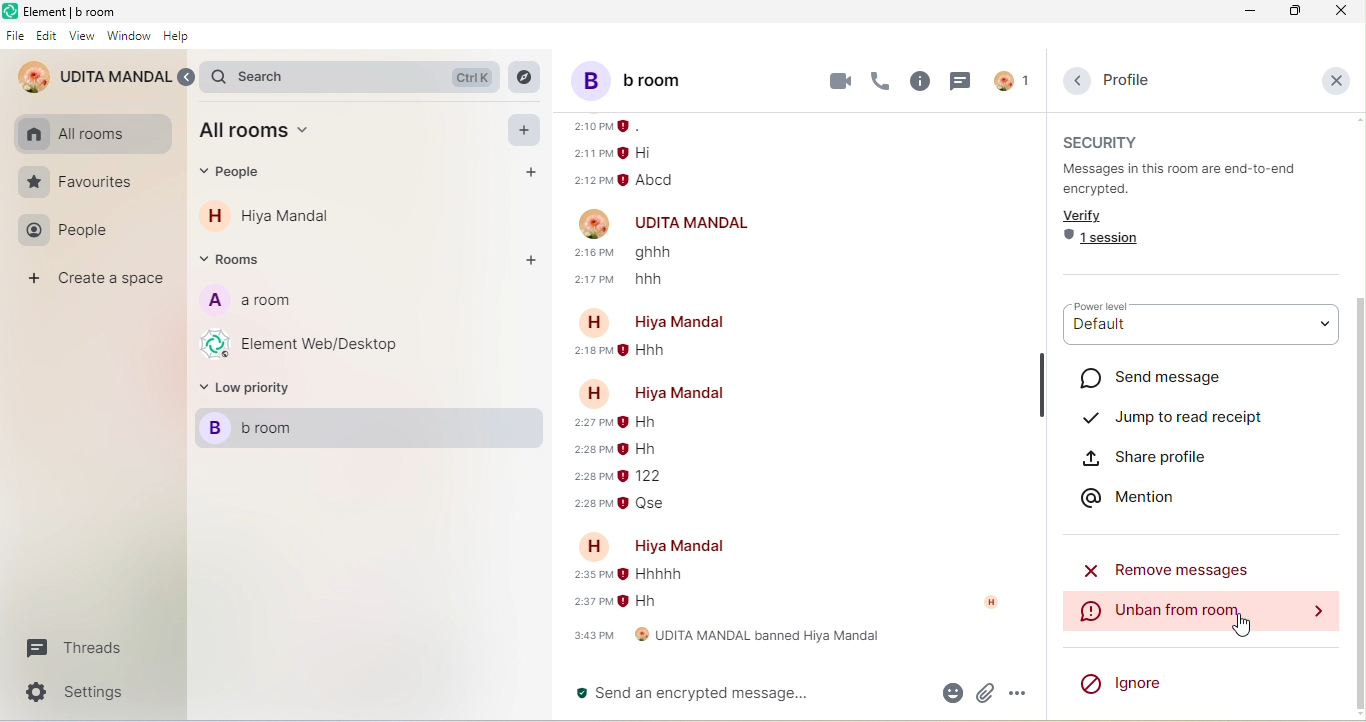  What do you see at coordinates (1357, 717) in the screenshot?
I see `scroll down` at bounding box center [1357, 717].